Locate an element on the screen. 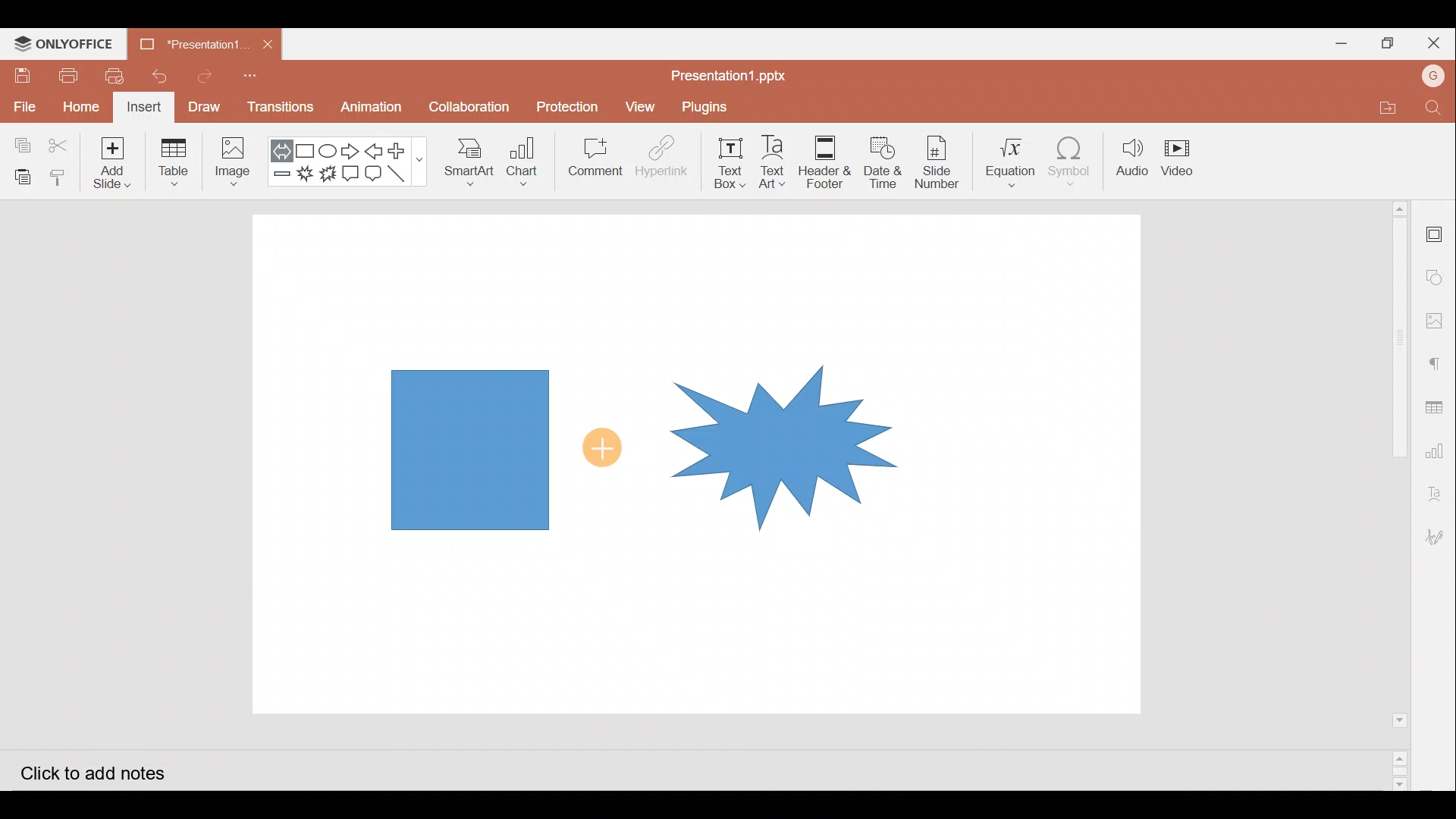  Rectangular callout is located at coordinates (353, 173).